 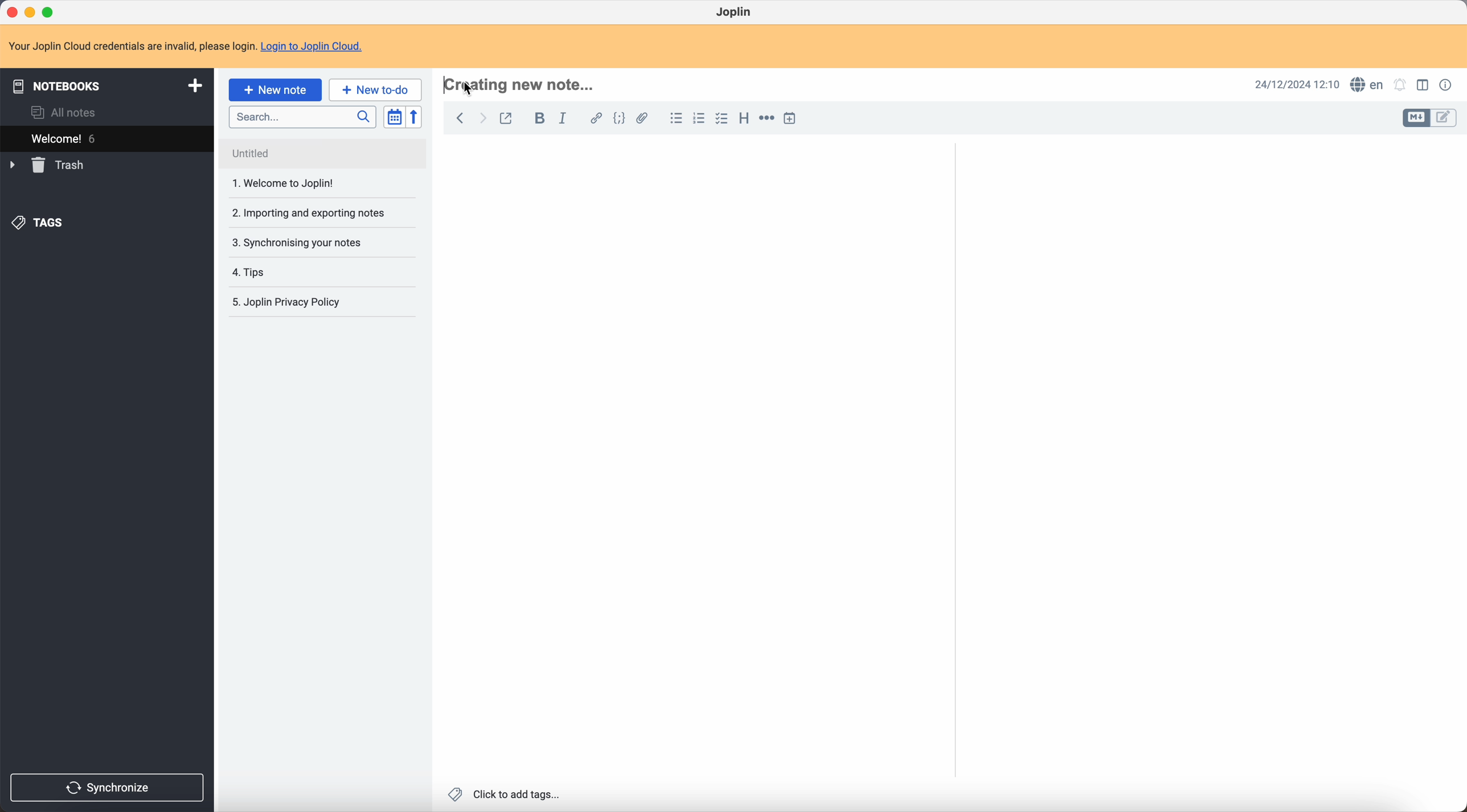 I want to click on click on new note, so click(x=276, y=89).